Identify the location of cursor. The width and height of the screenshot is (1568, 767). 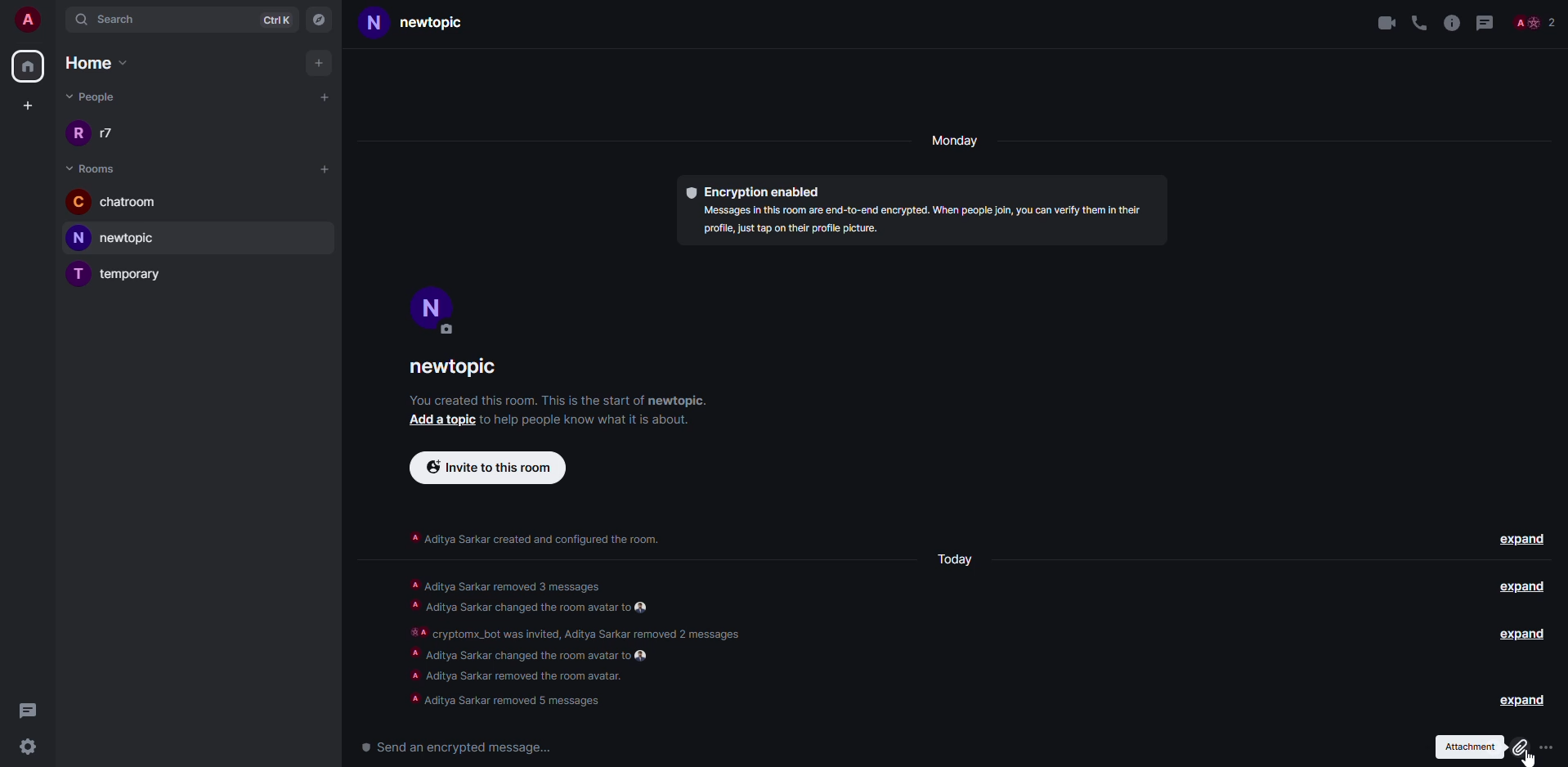
(1527, 758).